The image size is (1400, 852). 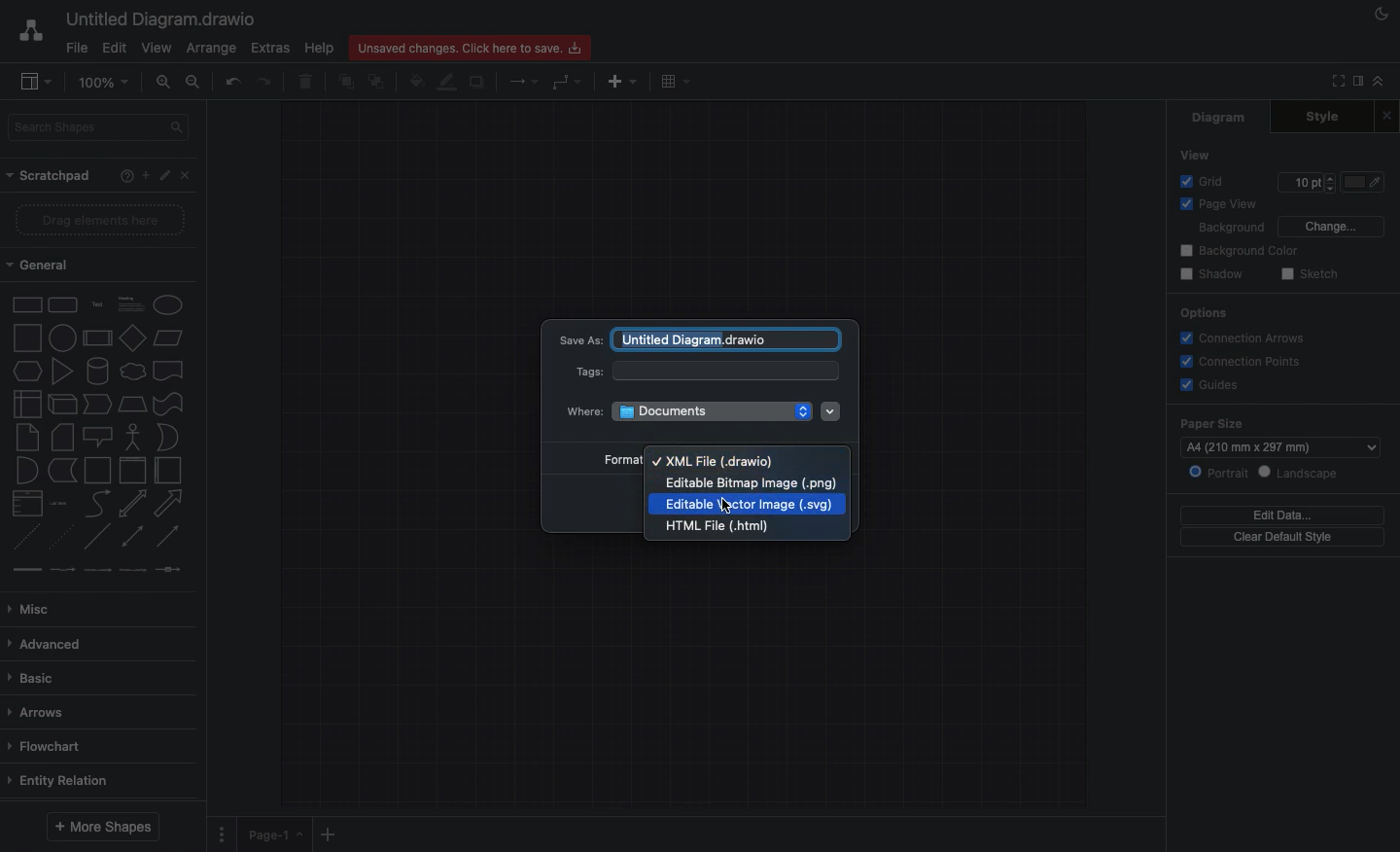 I want to click on untitled diagram.draw.io, so click(x=725, y=337).